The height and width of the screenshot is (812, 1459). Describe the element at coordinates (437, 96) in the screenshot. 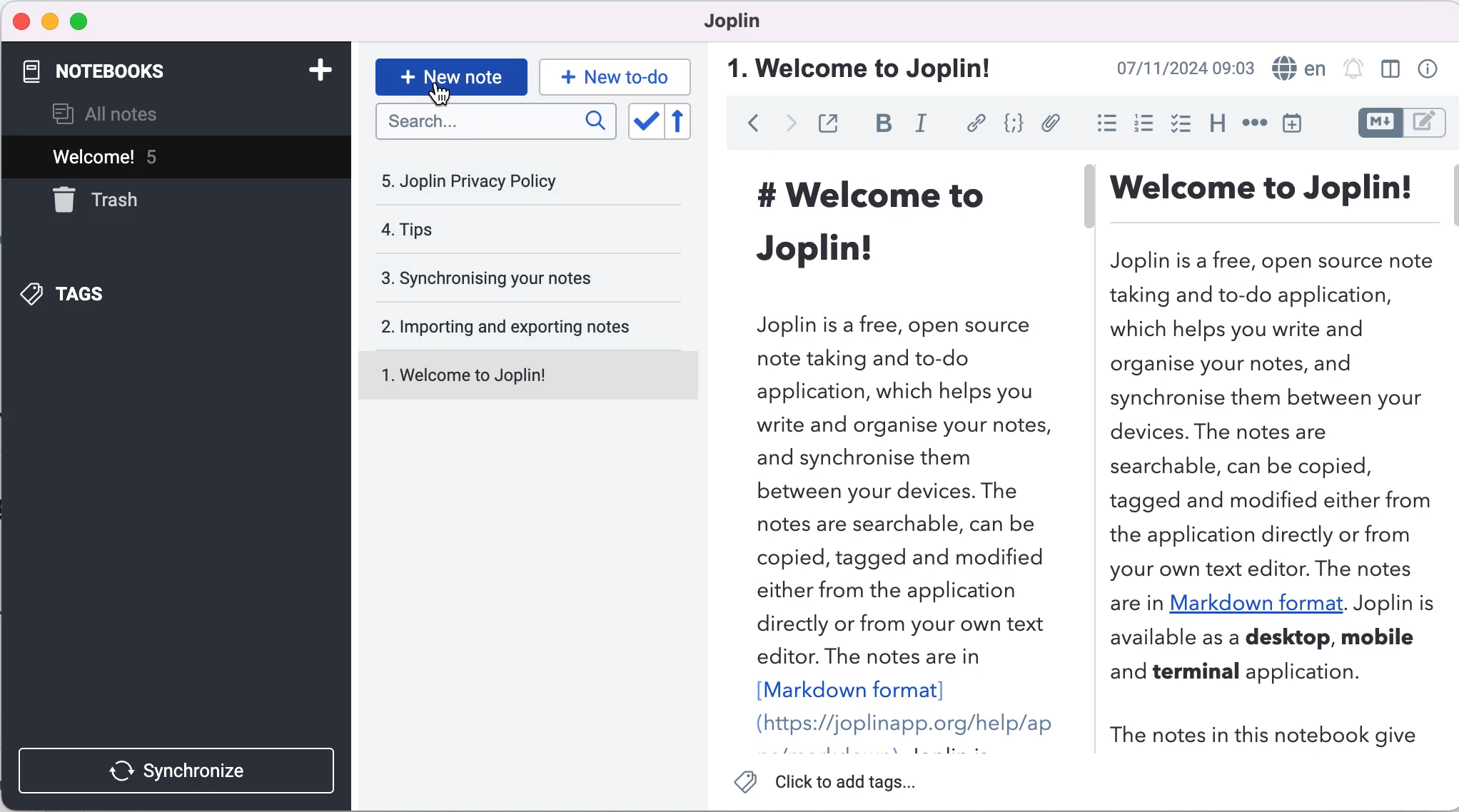

I see `cursor` at that location.